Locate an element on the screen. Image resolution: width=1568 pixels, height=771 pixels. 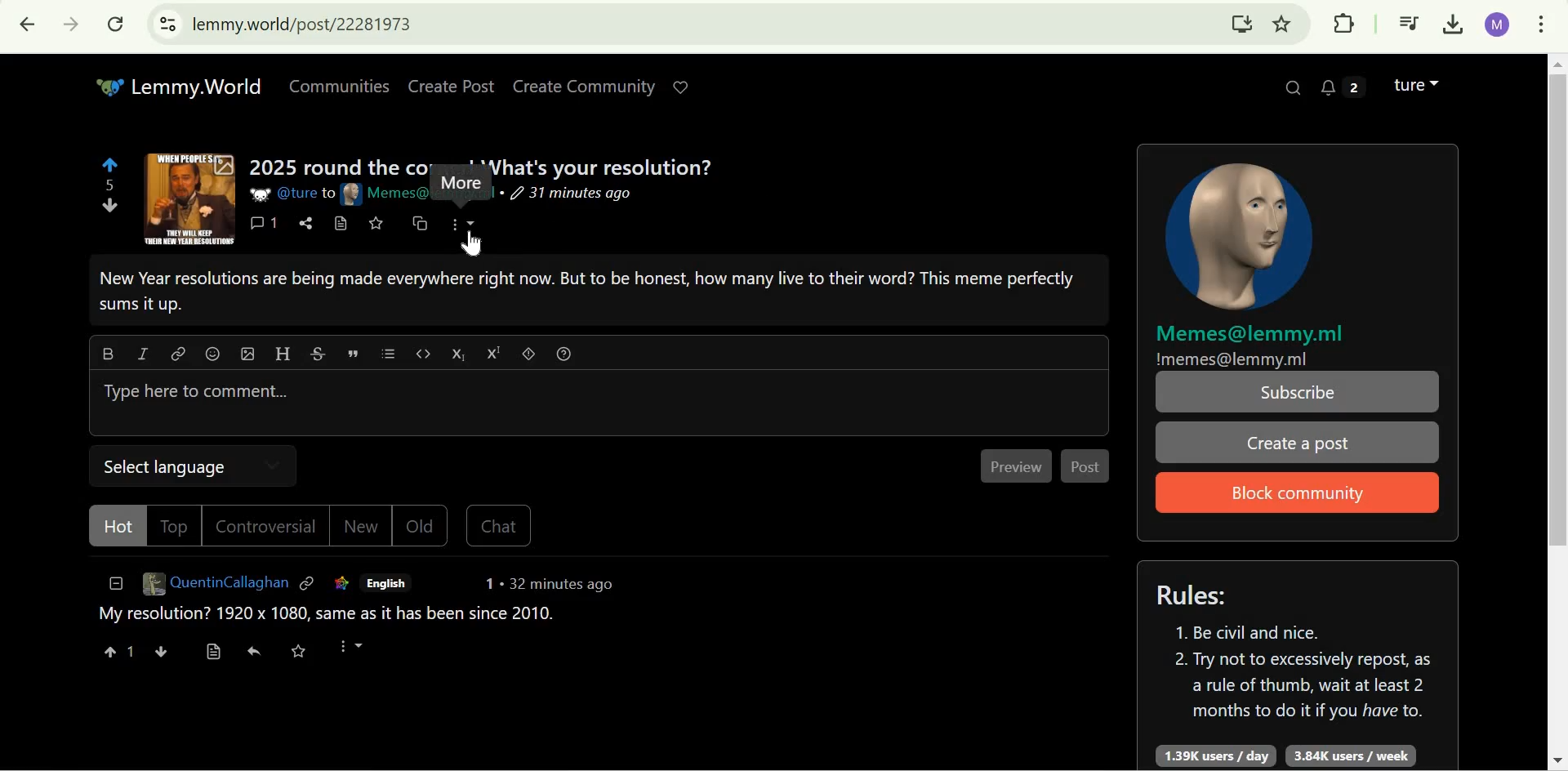
Chat is located at coordinates (499, 526).